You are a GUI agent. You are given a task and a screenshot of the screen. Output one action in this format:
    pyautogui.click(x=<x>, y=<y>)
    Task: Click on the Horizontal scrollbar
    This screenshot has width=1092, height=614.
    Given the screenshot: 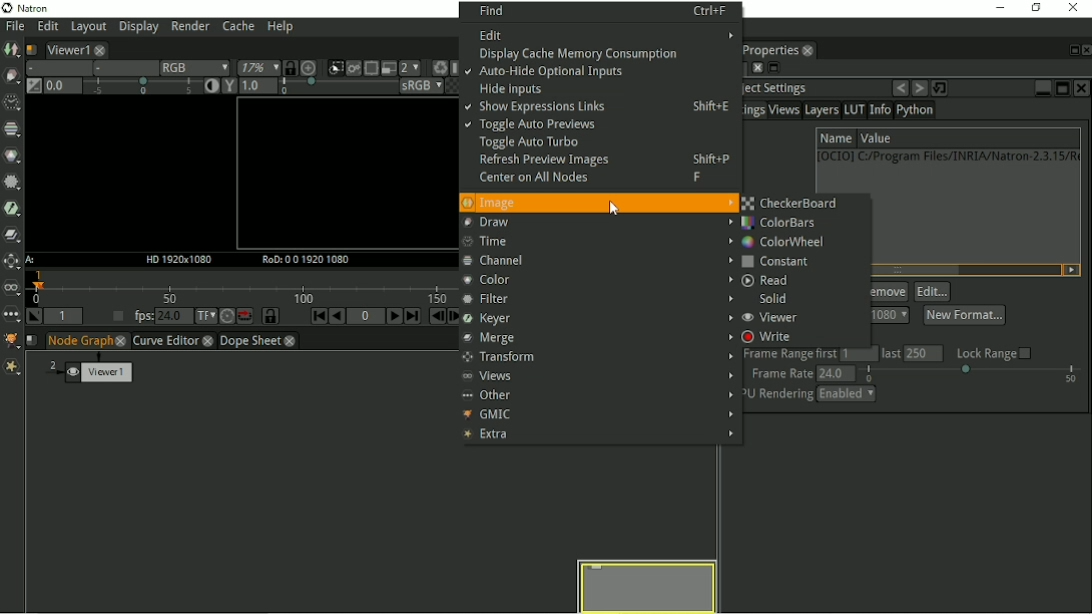 What is the action you would take?
    pyautogui.click(x=913, y=270)
    